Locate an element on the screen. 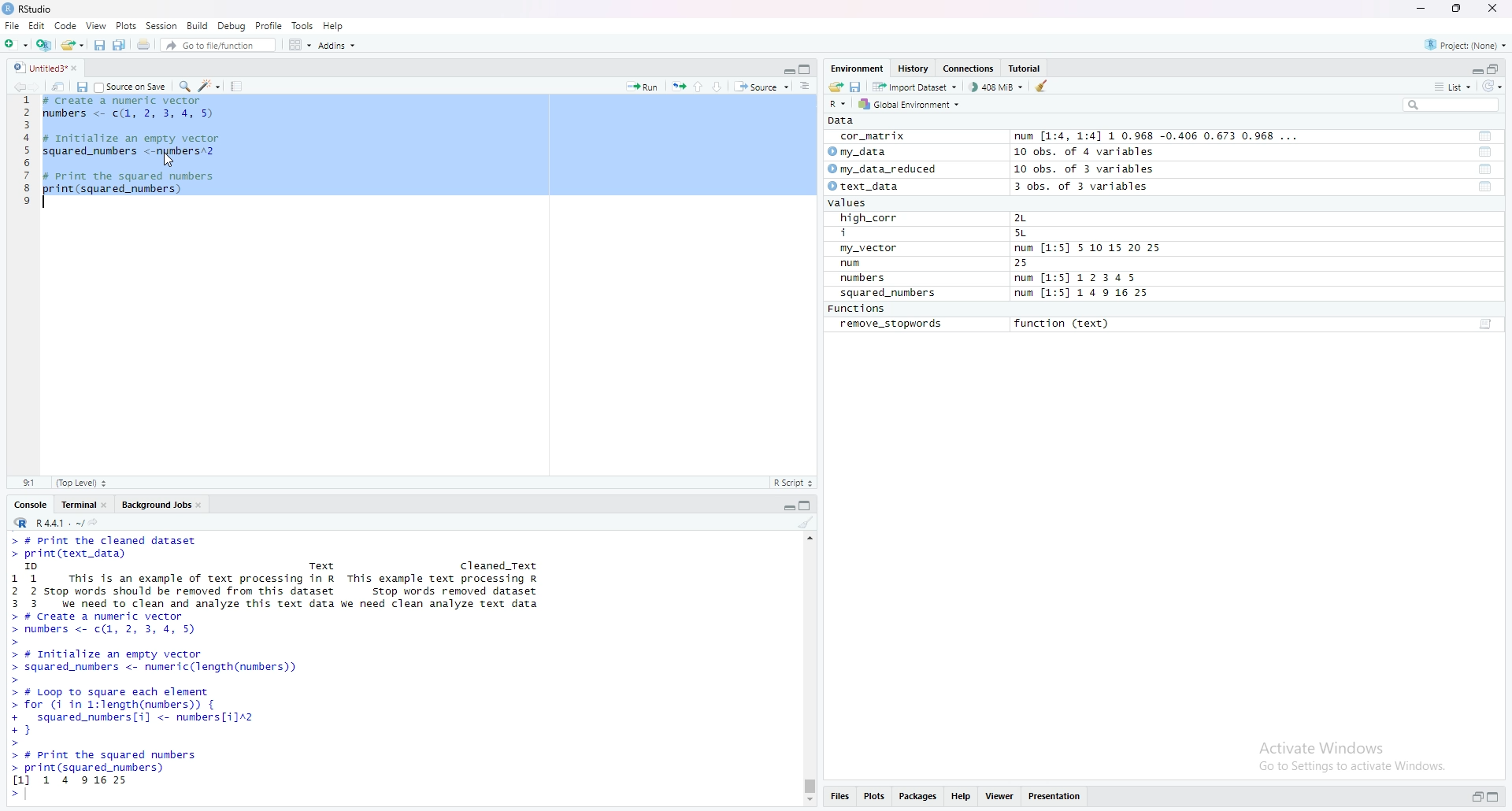 The image size is (1512, 811). line number is located at coordinates (27, 154).